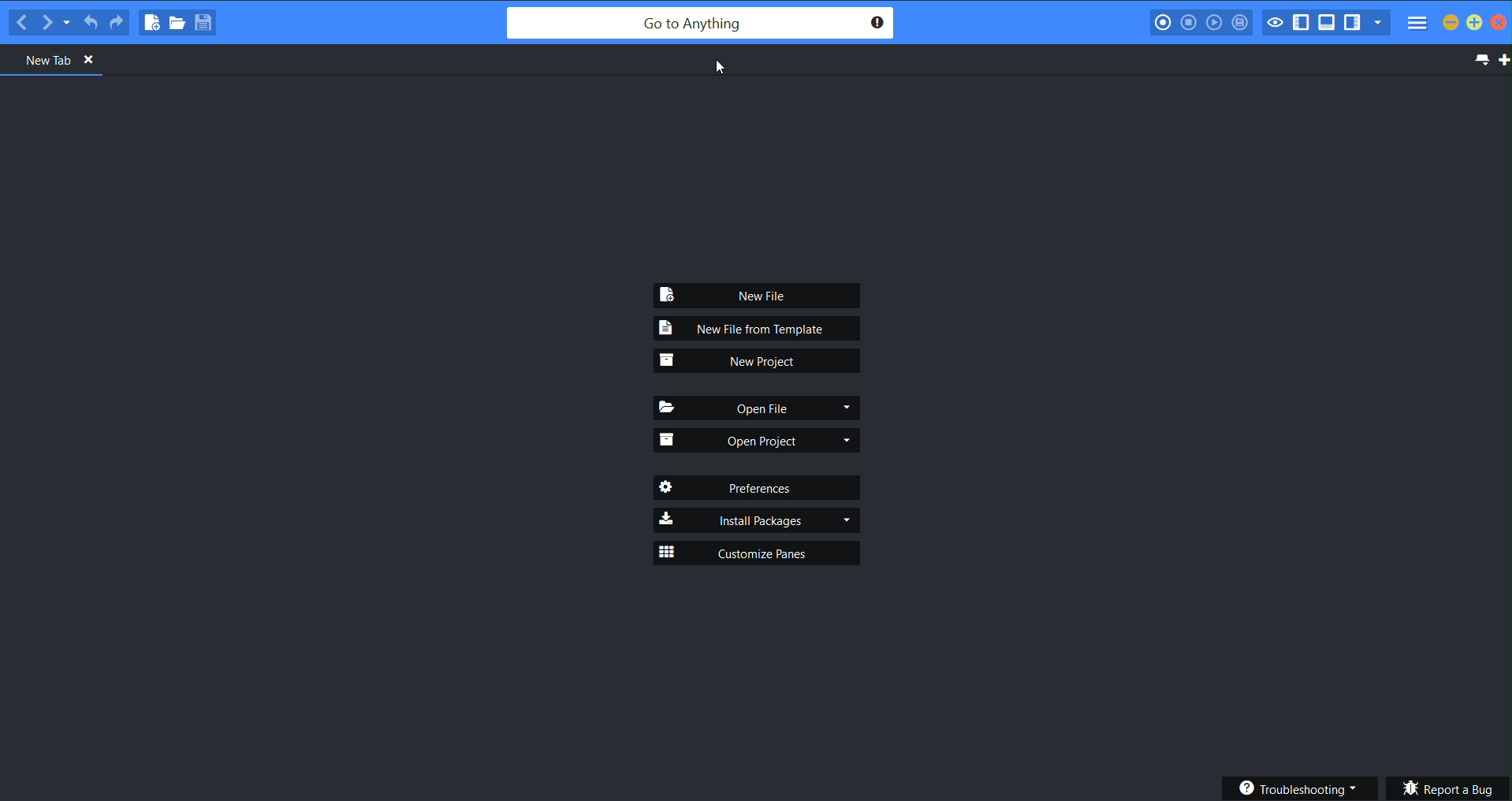 This screenshot has height=801, width=1512. I want to click on install packages, so click(758, 519).